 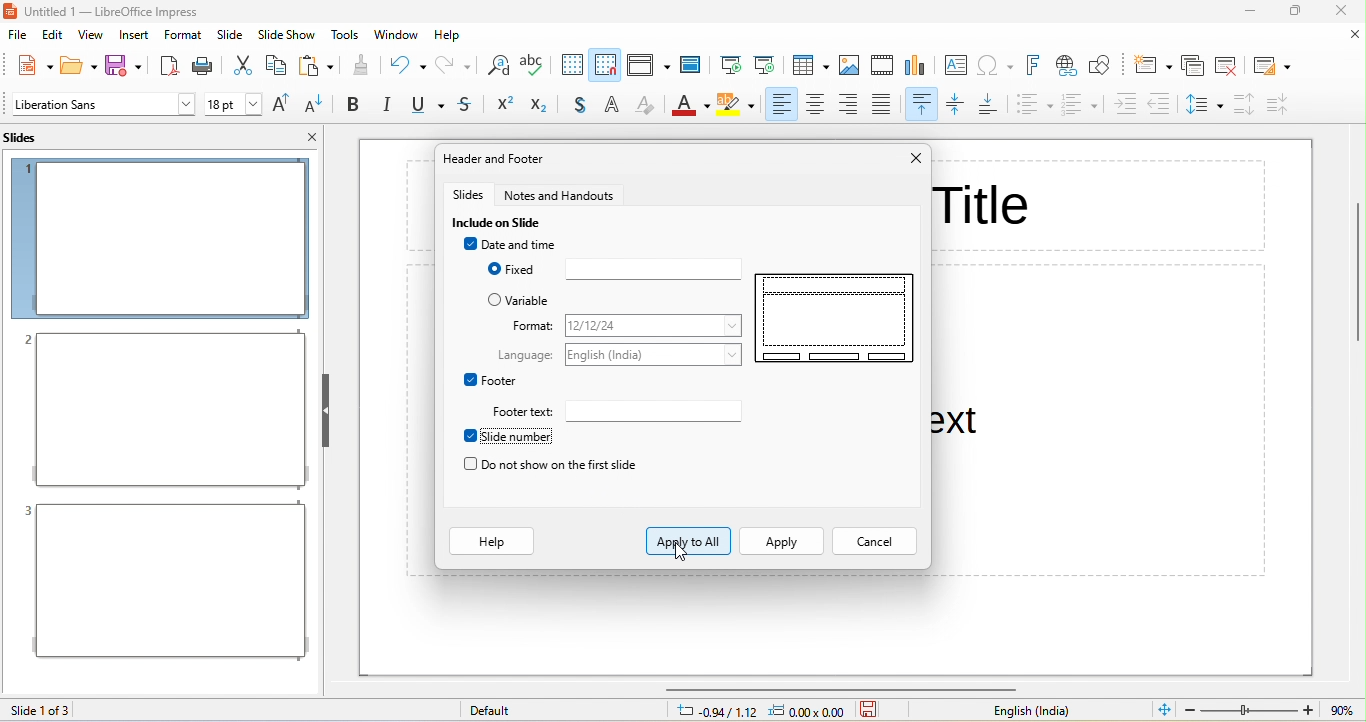 I want to click on cursor movement, so click(x=683, y=551).